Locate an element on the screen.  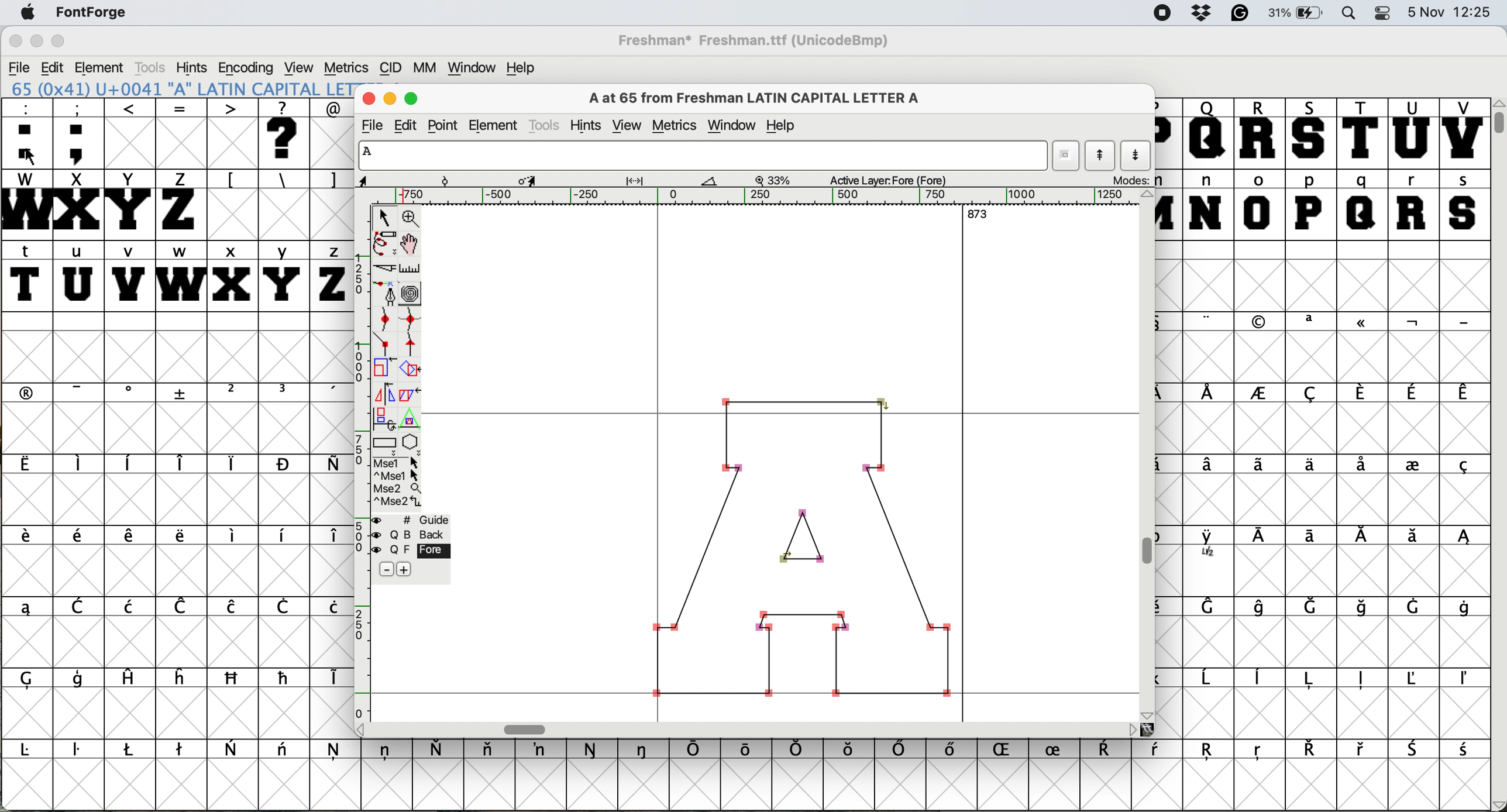
Mse1 is located at coordinates (396, 462).